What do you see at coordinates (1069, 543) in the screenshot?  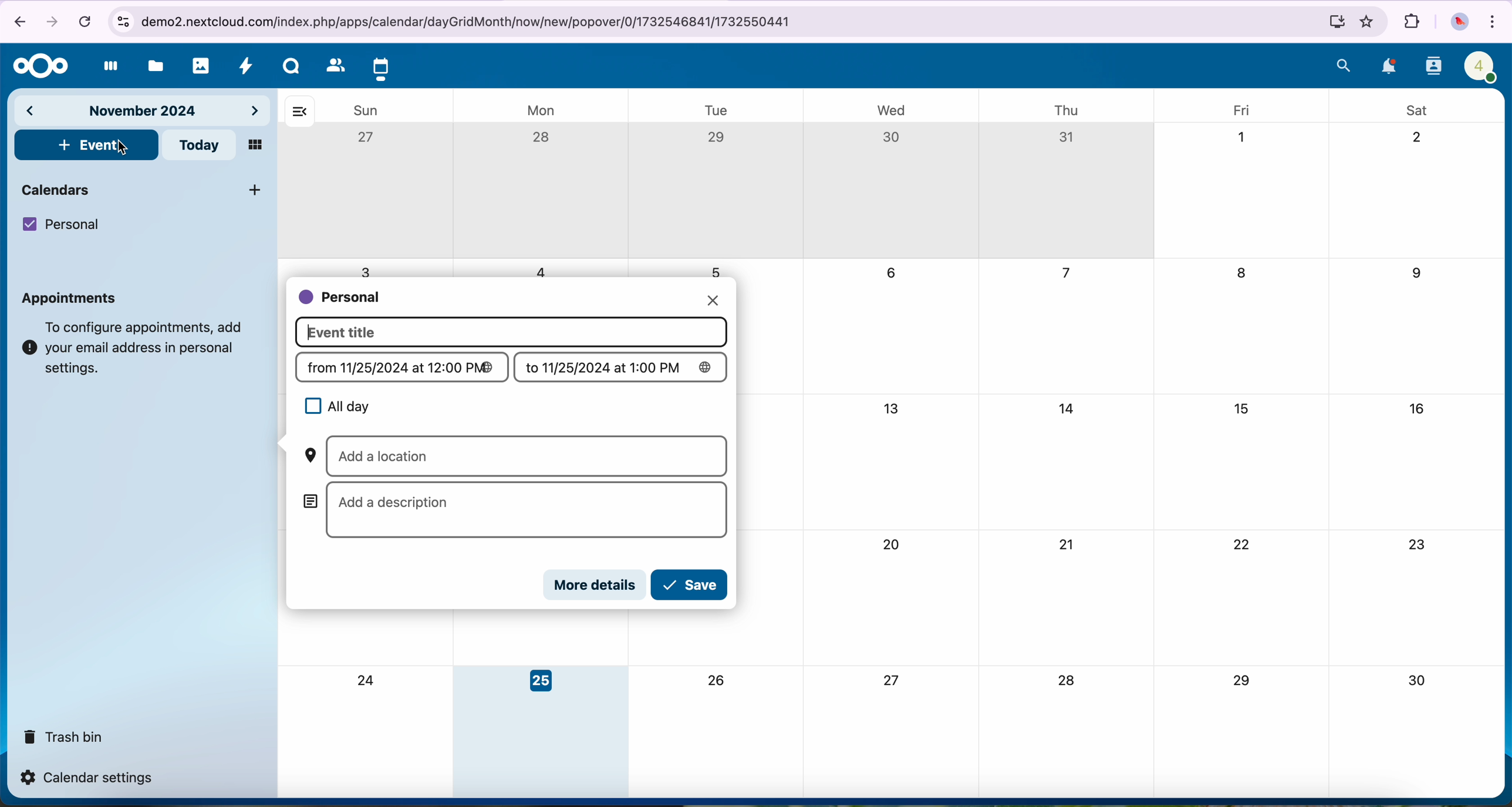 I see `21` at bounding box center [1069, 543].